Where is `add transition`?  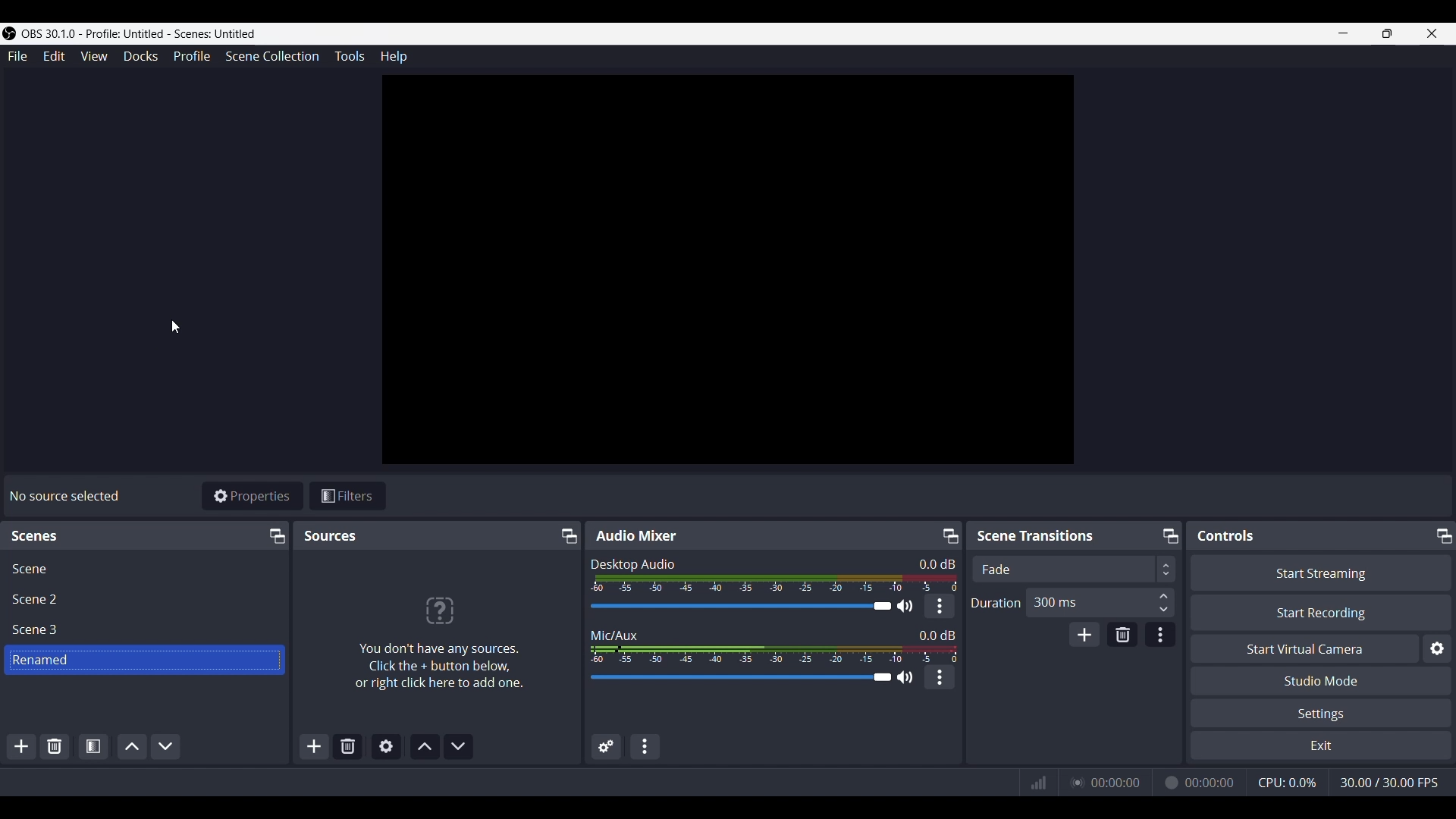
add transition is located at coordinates (1084, 634).